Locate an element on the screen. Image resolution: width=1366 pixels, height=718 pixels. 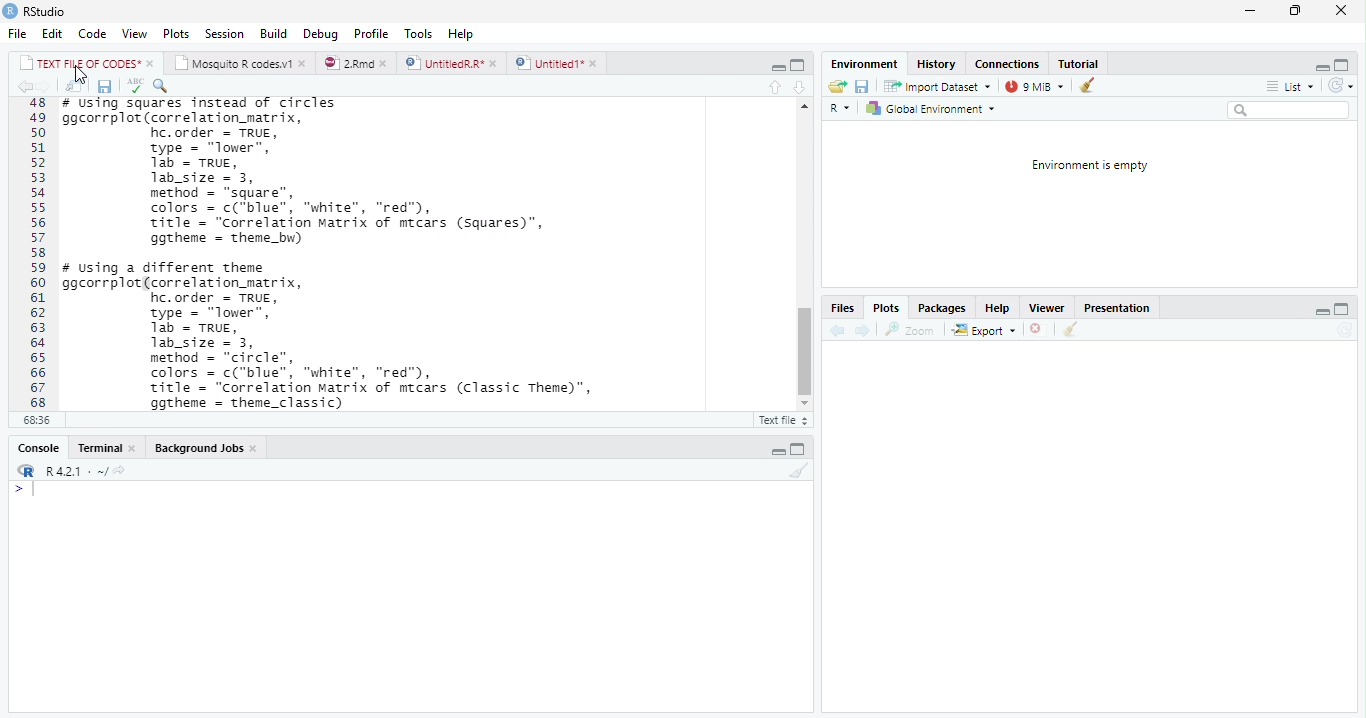
hide console is located at coordinates (1346, 65).